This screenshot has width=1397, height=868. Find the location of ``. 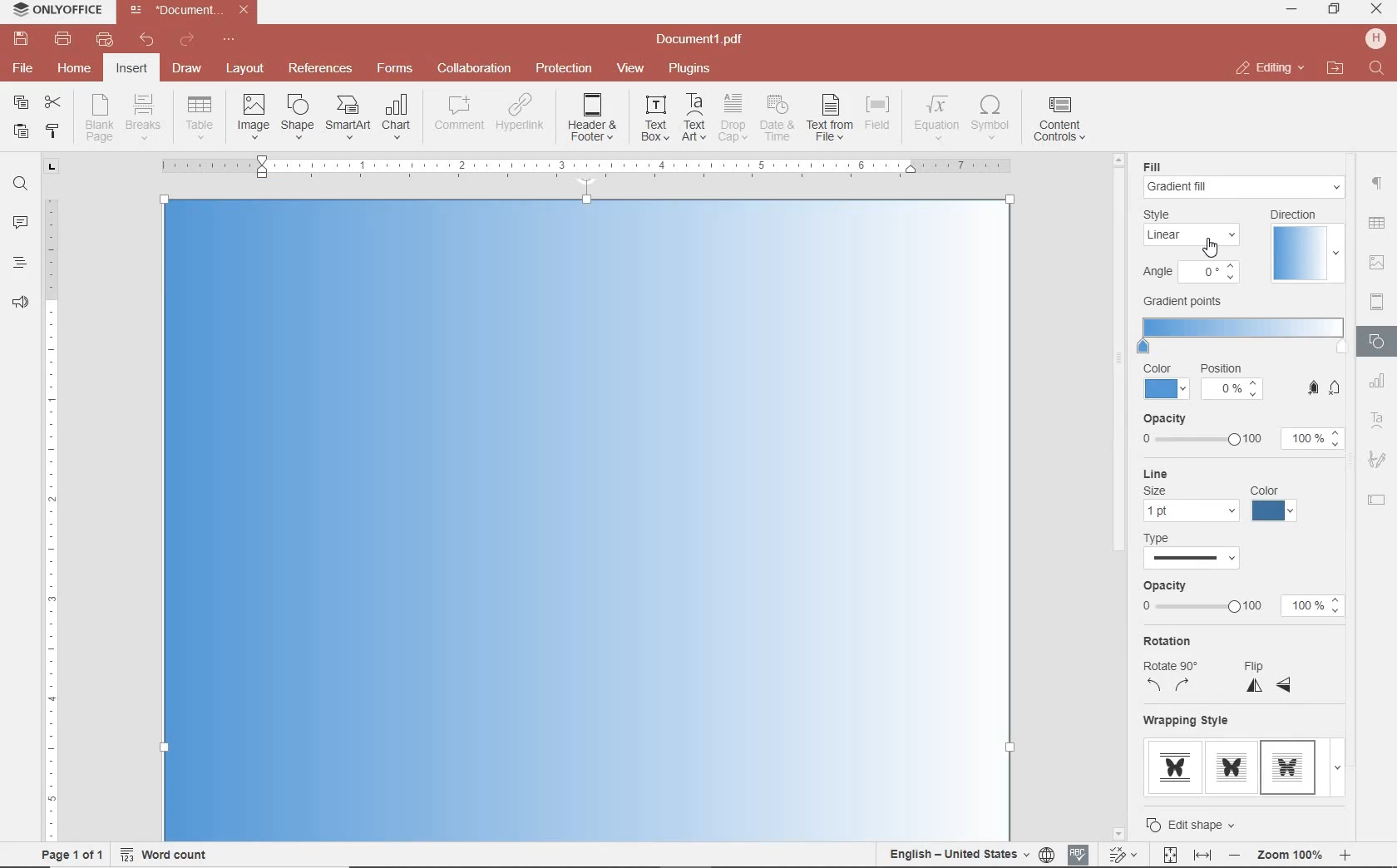

 is located at coordinates (1198, 823).